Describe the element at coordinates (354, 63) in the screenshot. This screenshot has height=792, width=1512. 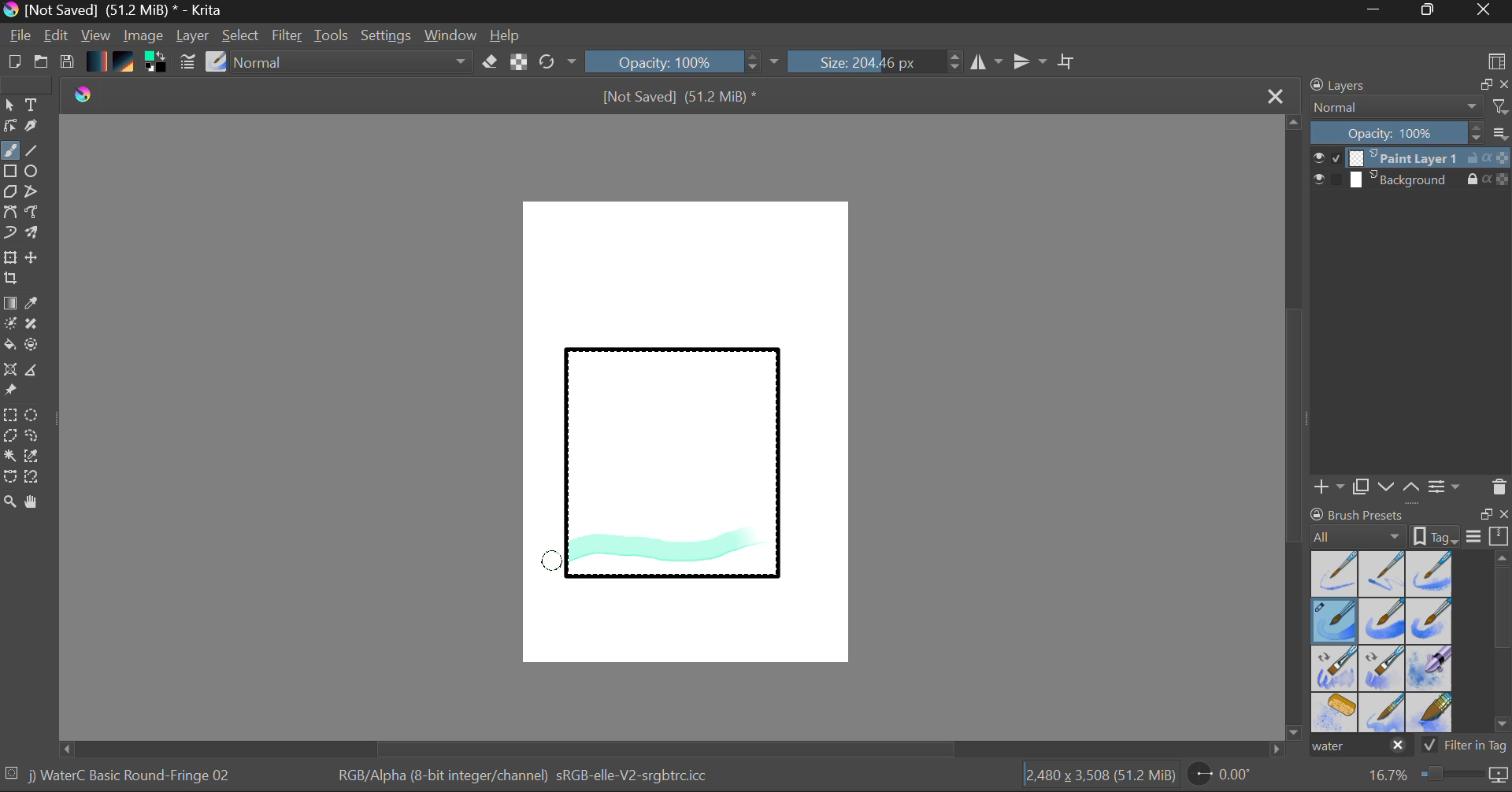
I see `Blending Tool` at that location.